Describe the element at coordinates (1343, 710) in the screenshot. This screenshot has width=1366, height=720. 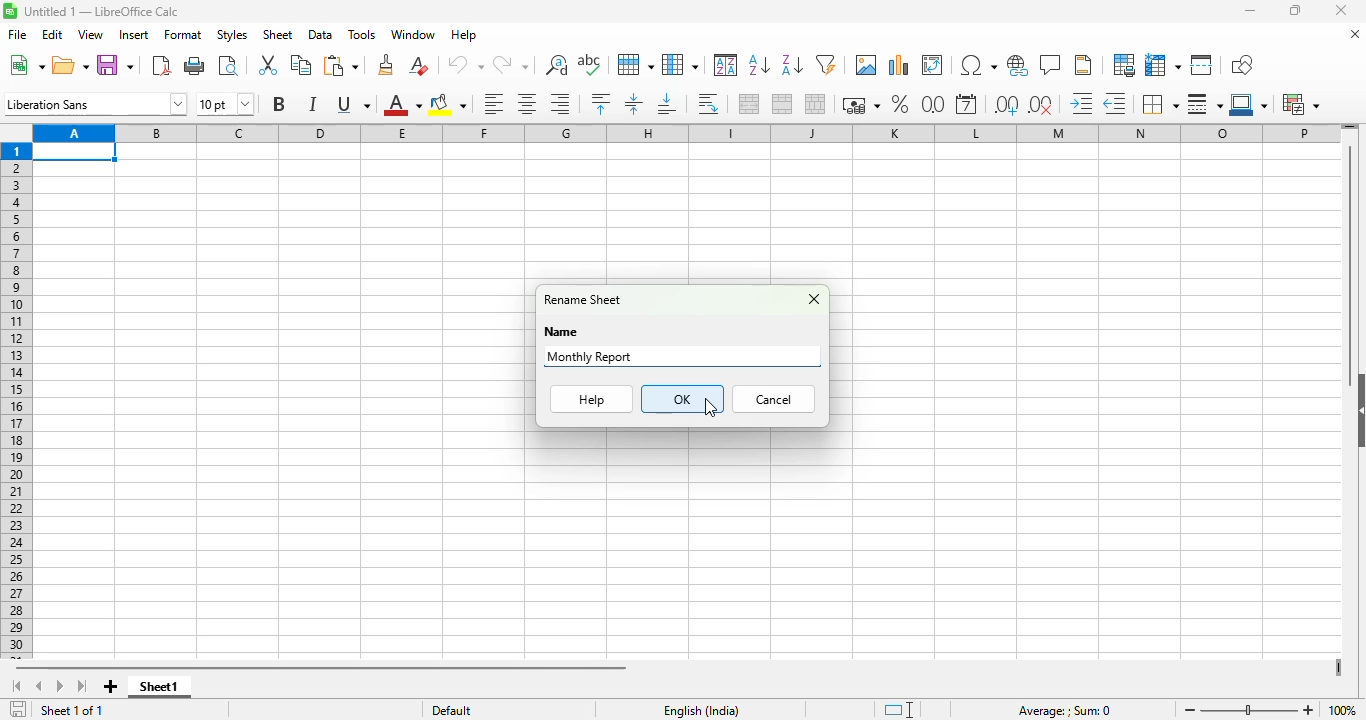
I see `100%` at that location.